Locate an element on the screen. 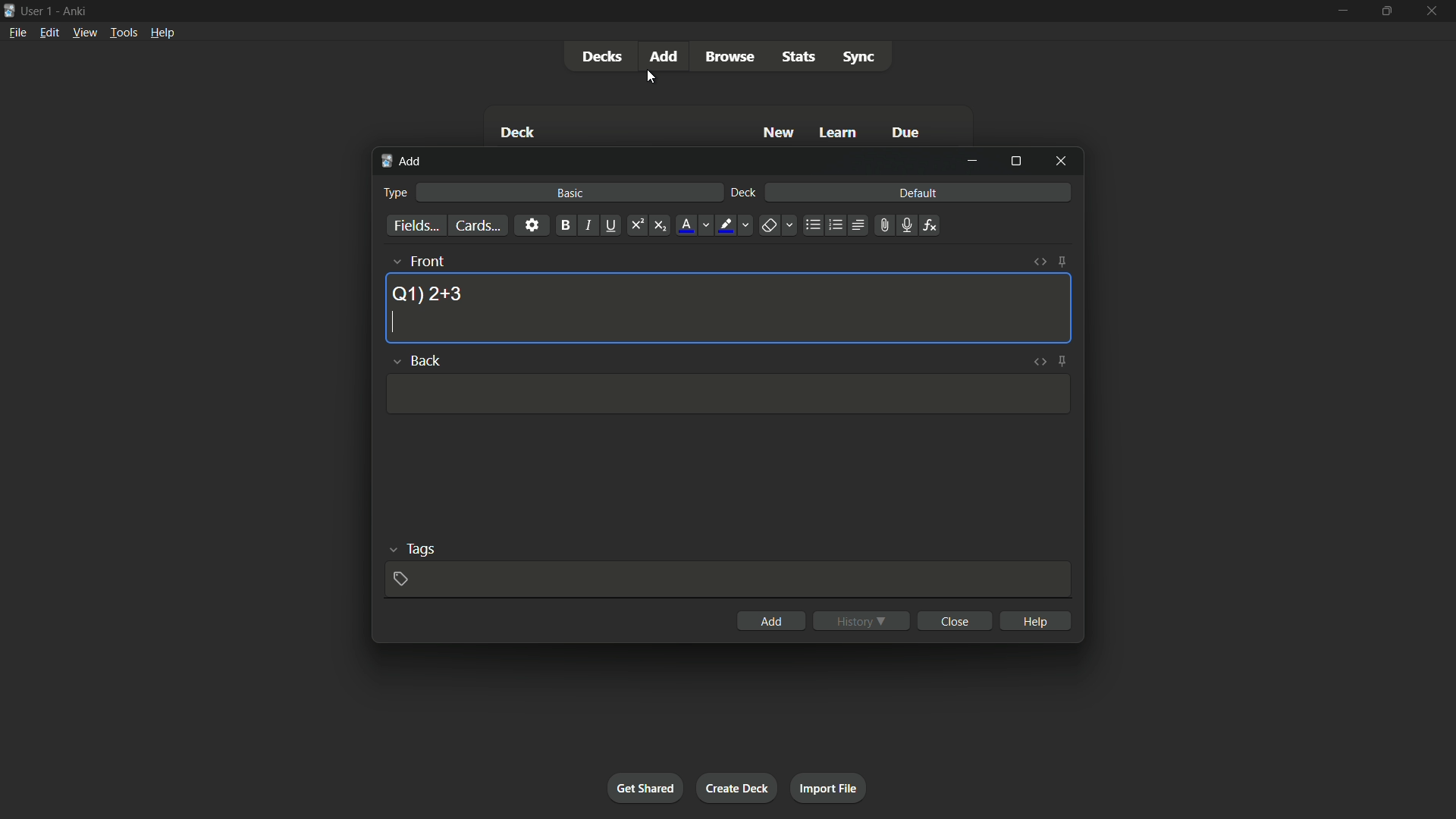 The height and width of the screenshot is (819, 1456). cards is located at coordinates (477, 226).